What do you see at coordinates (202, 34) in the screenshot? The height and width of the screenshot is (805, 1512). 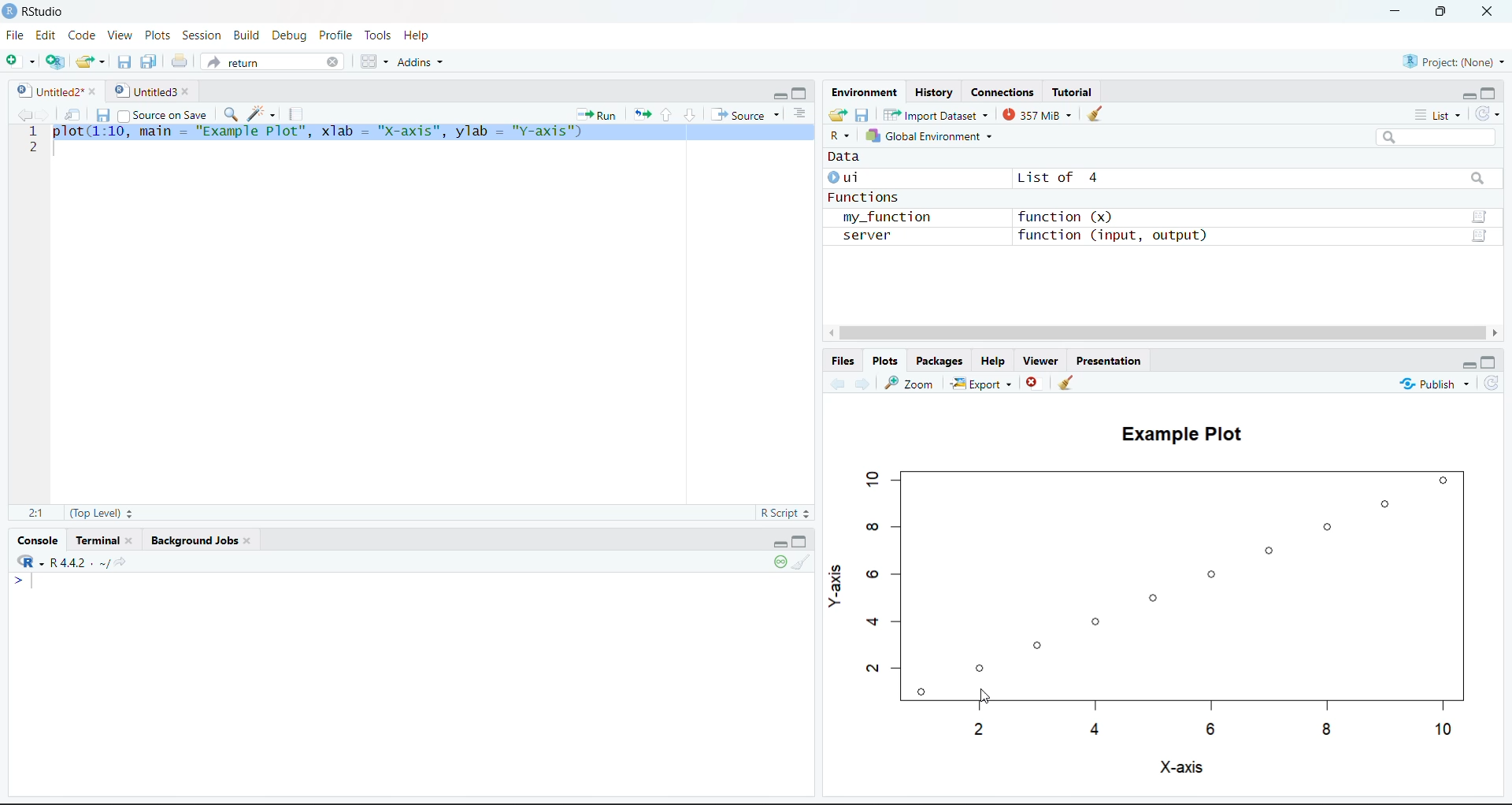 I see `Session` at bounding box center [202, 34].